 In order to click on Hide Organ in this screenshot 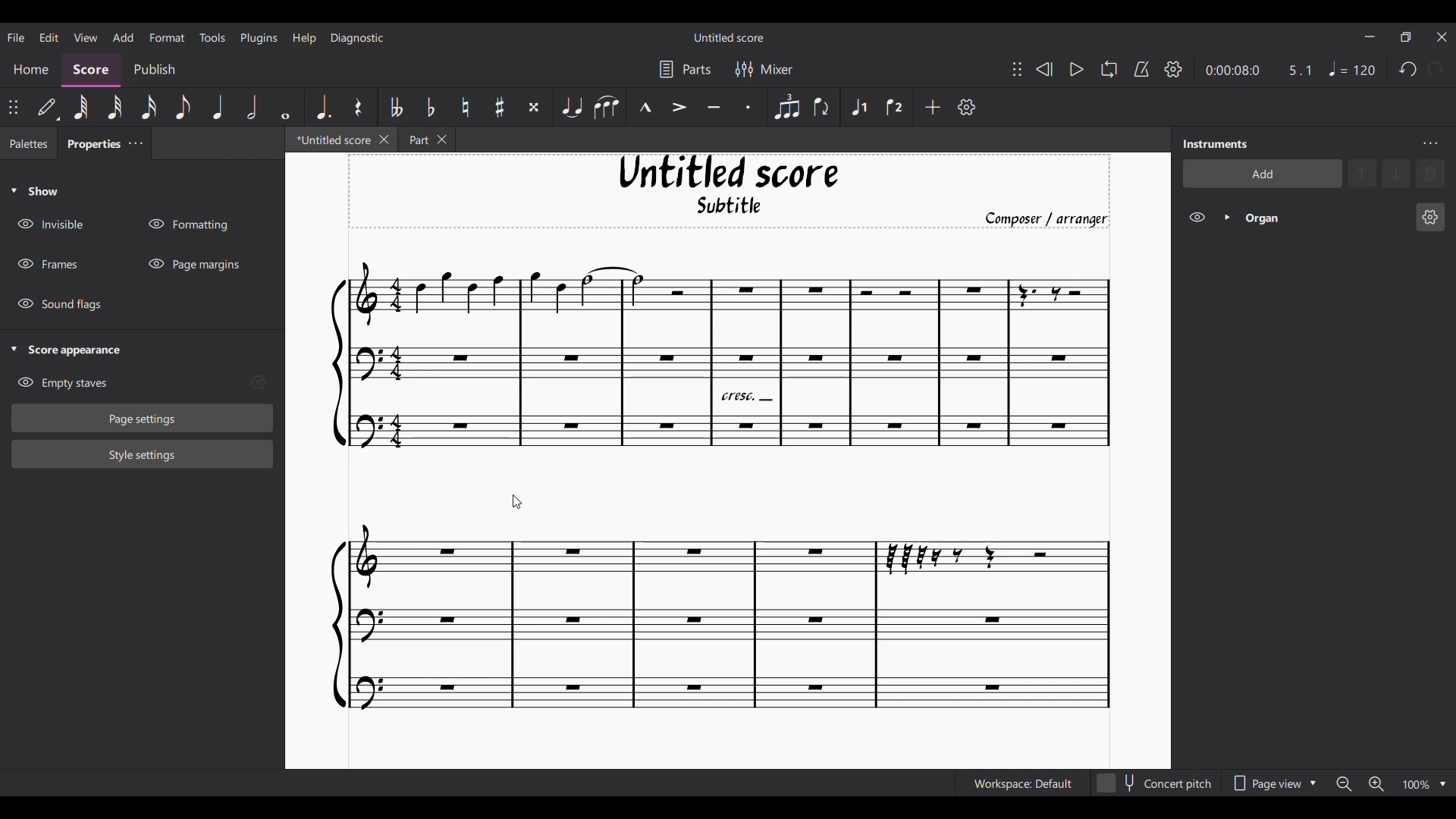, I will do `click(1197, 217)`.